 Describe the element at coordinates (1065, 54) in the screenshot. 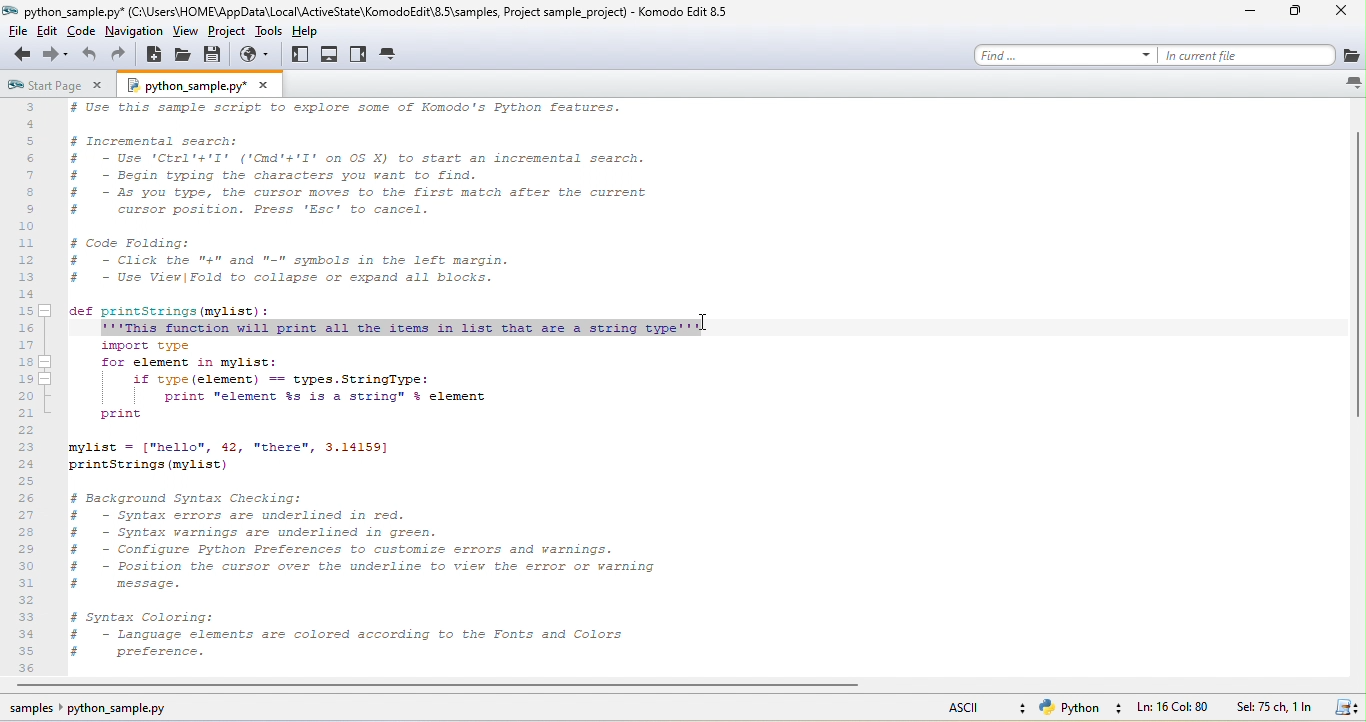

I see `find` at that location.